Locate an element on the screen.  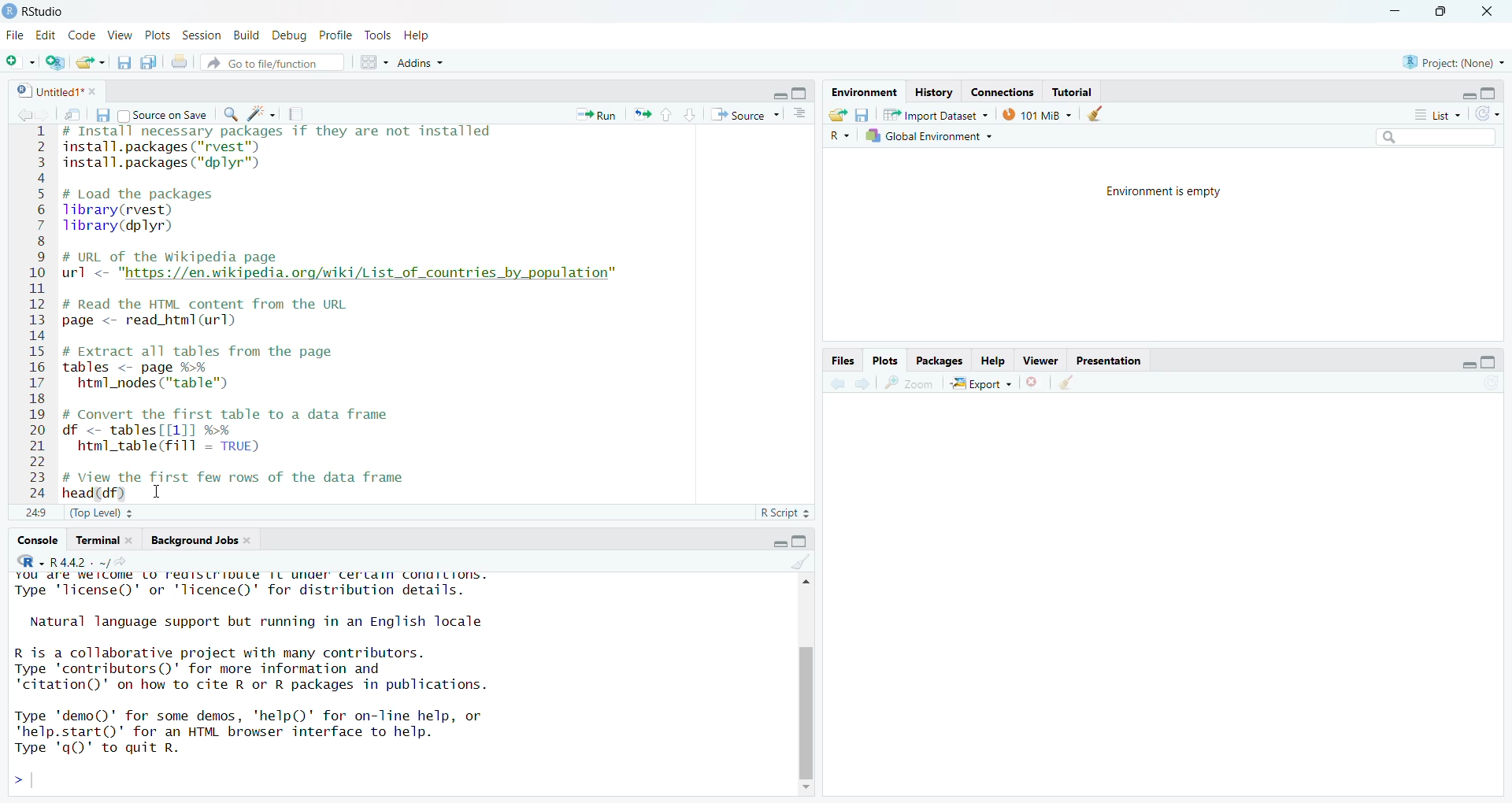
Environment is located at coordinates (863, 92).